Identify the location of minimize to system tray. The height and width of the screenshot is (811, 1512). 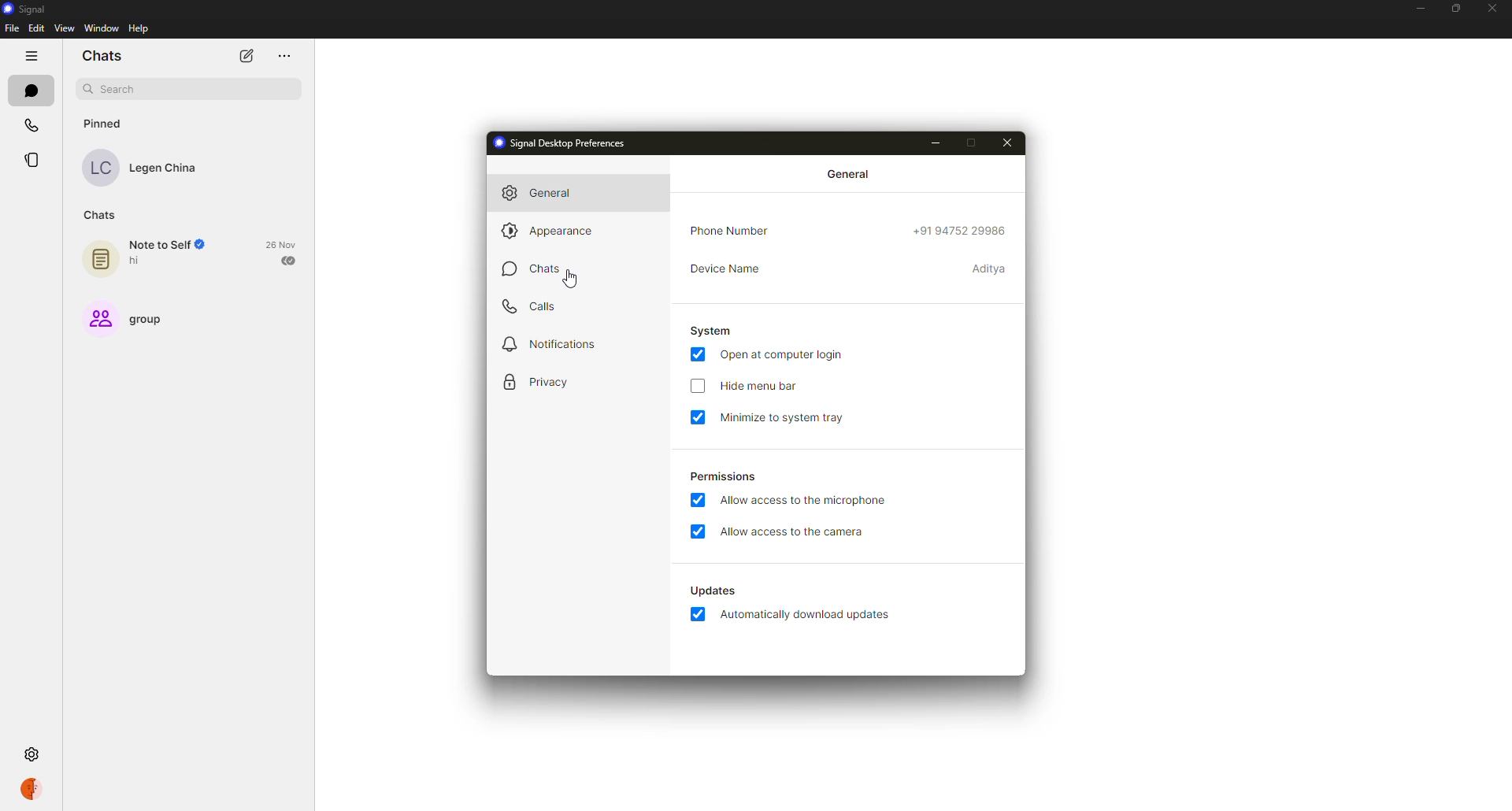
(786, 417).